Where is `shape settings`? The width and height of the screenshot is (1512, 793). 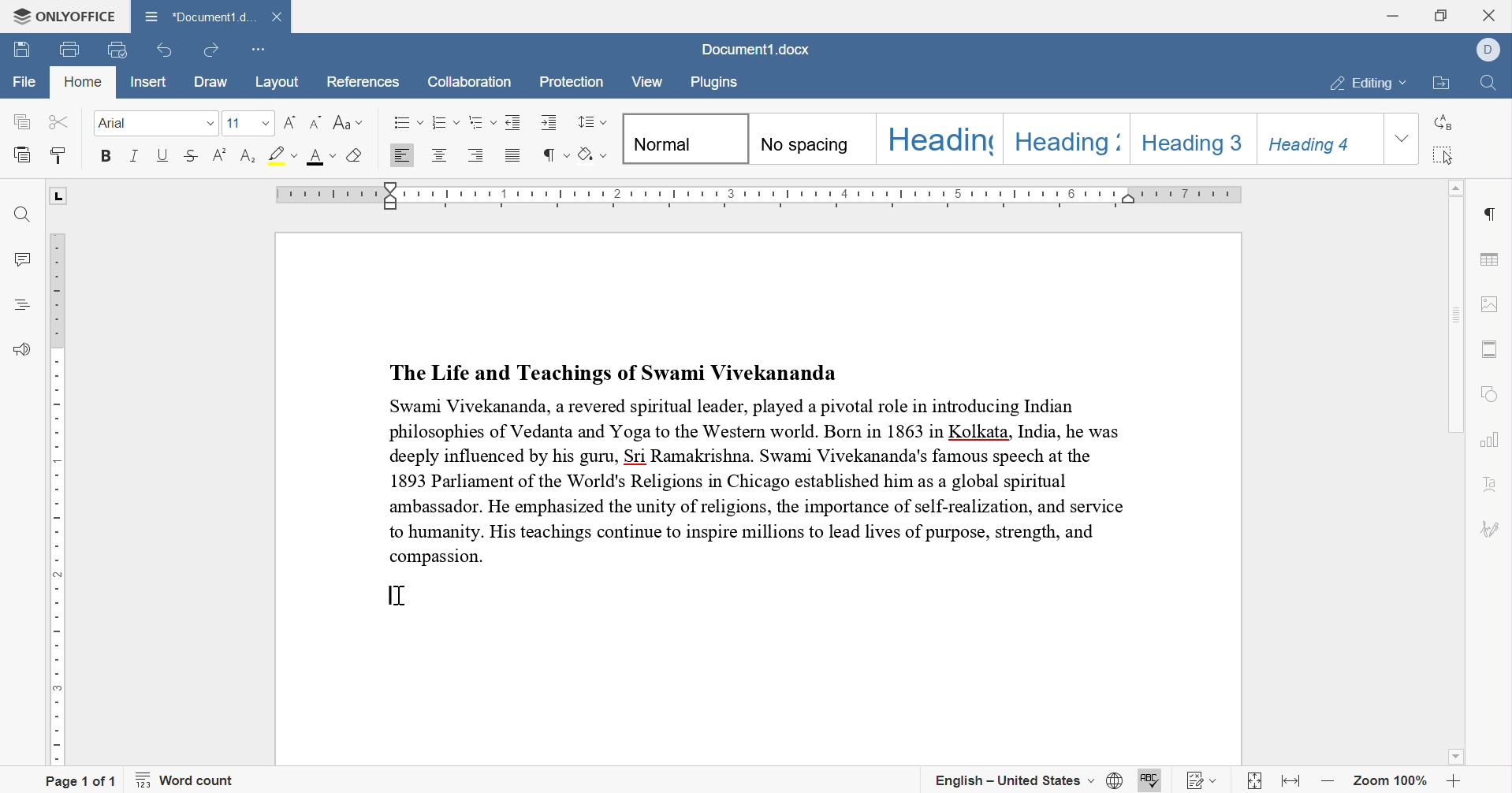
shape settings is located at coordinates (1490, 397).